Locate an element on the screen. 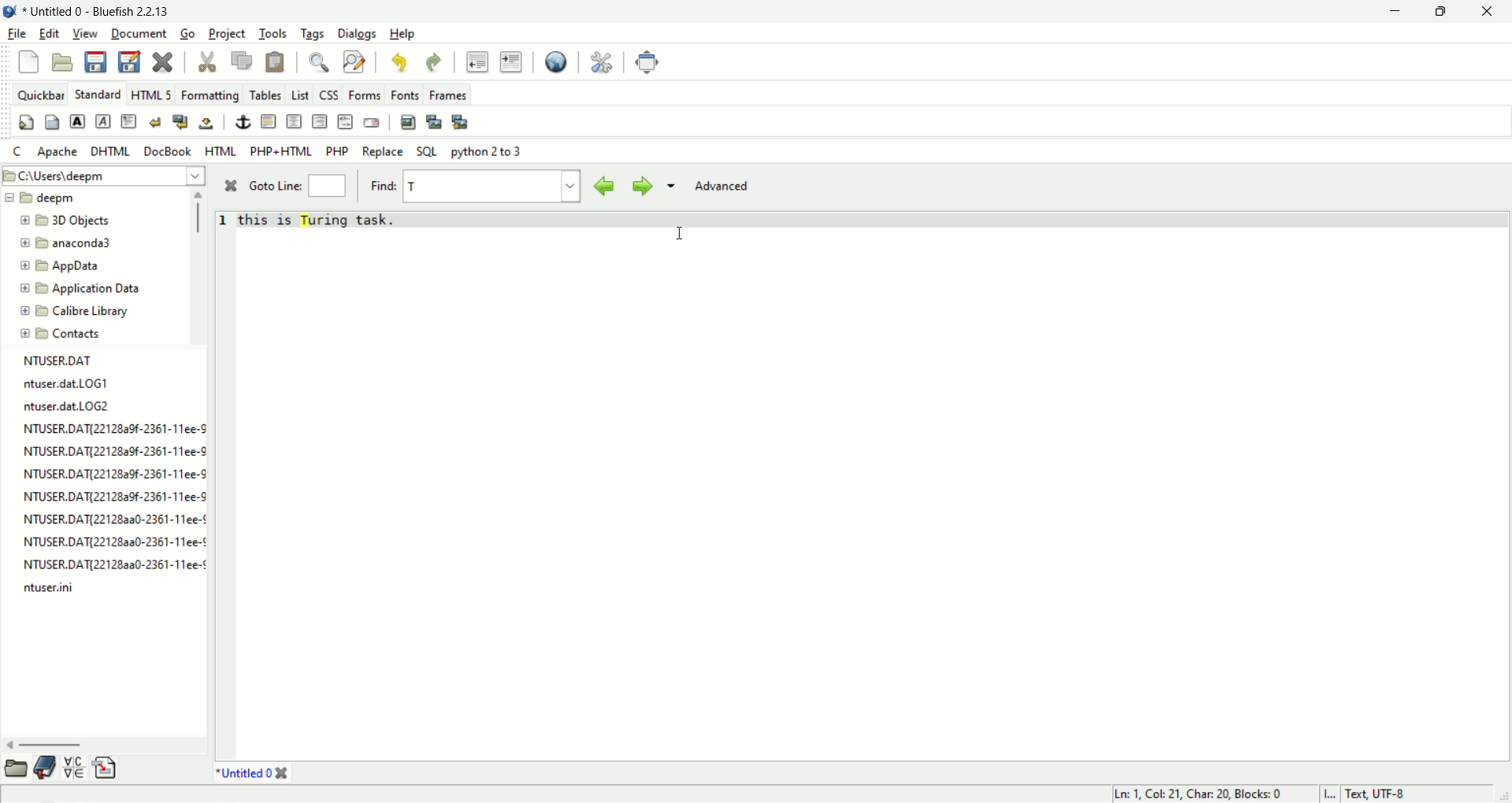  find history is located at coordinates (573, 186).